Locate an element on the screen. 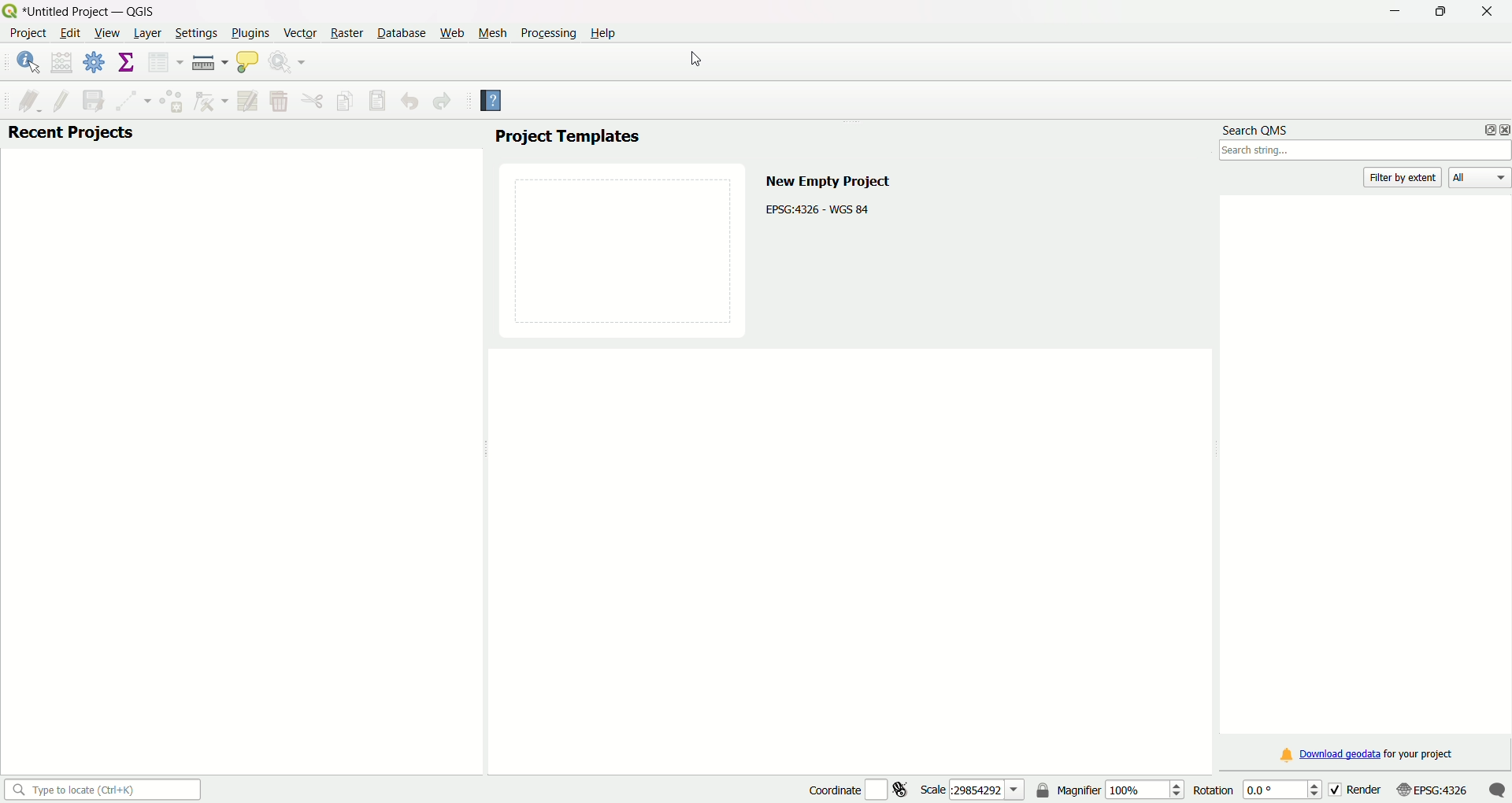 Image resolution: width=1512 pixels, height=803 pixels. Minimize is located at coordinates (1393, 13).